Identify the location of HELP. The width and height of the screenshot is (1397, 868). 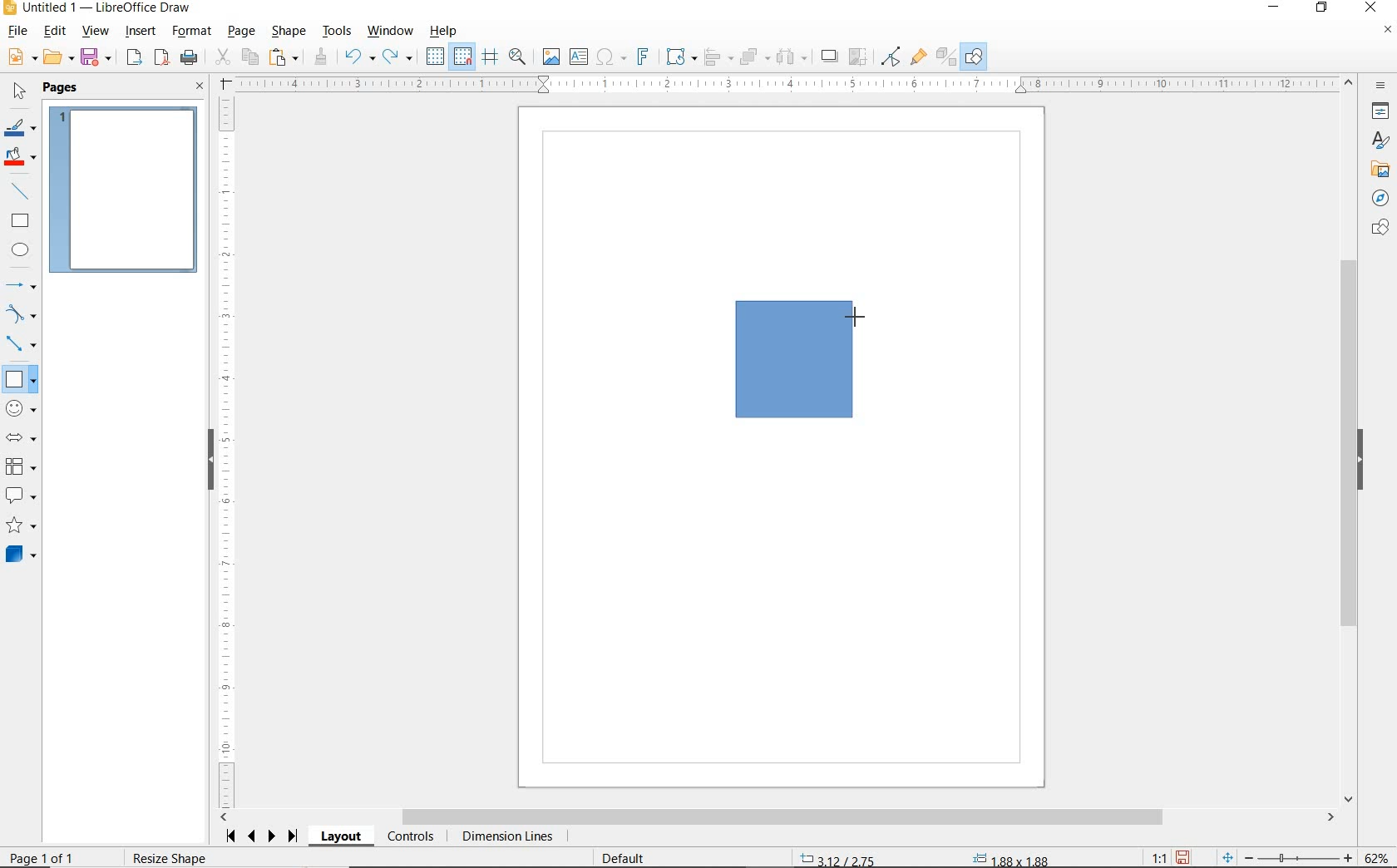
(447, 31).